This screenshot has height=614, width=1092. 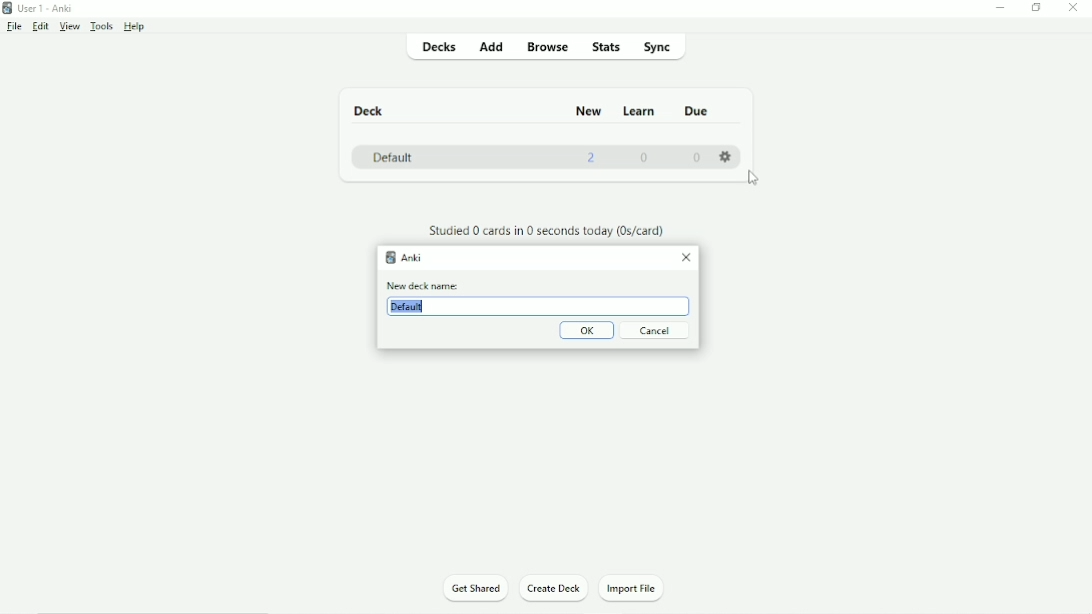 What do you see at coordinates (588, 109) in the screenshot?
I see `New` at bounding box center [588, 109].